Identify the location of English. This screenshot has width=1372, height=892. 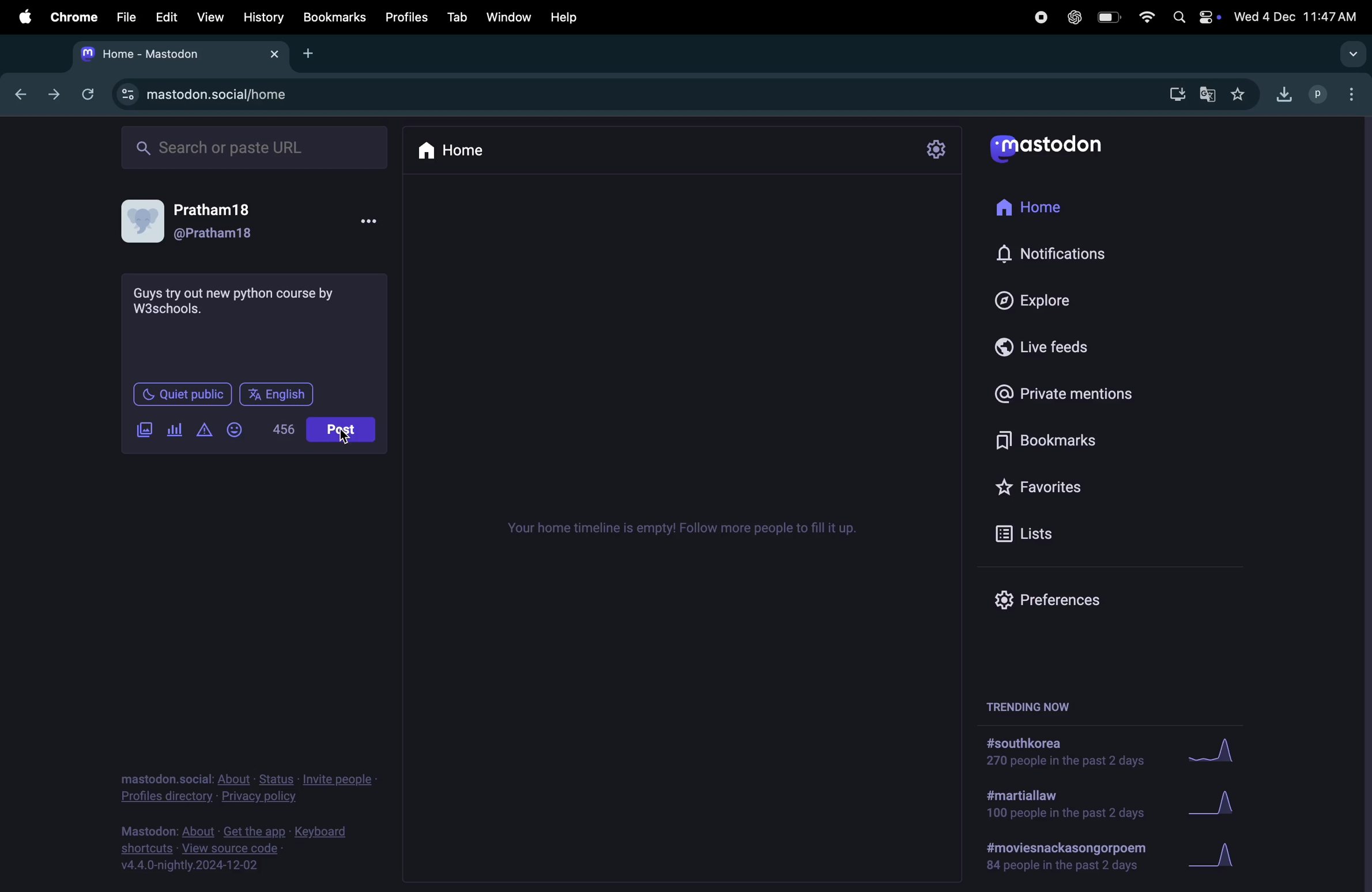
(279, 394).